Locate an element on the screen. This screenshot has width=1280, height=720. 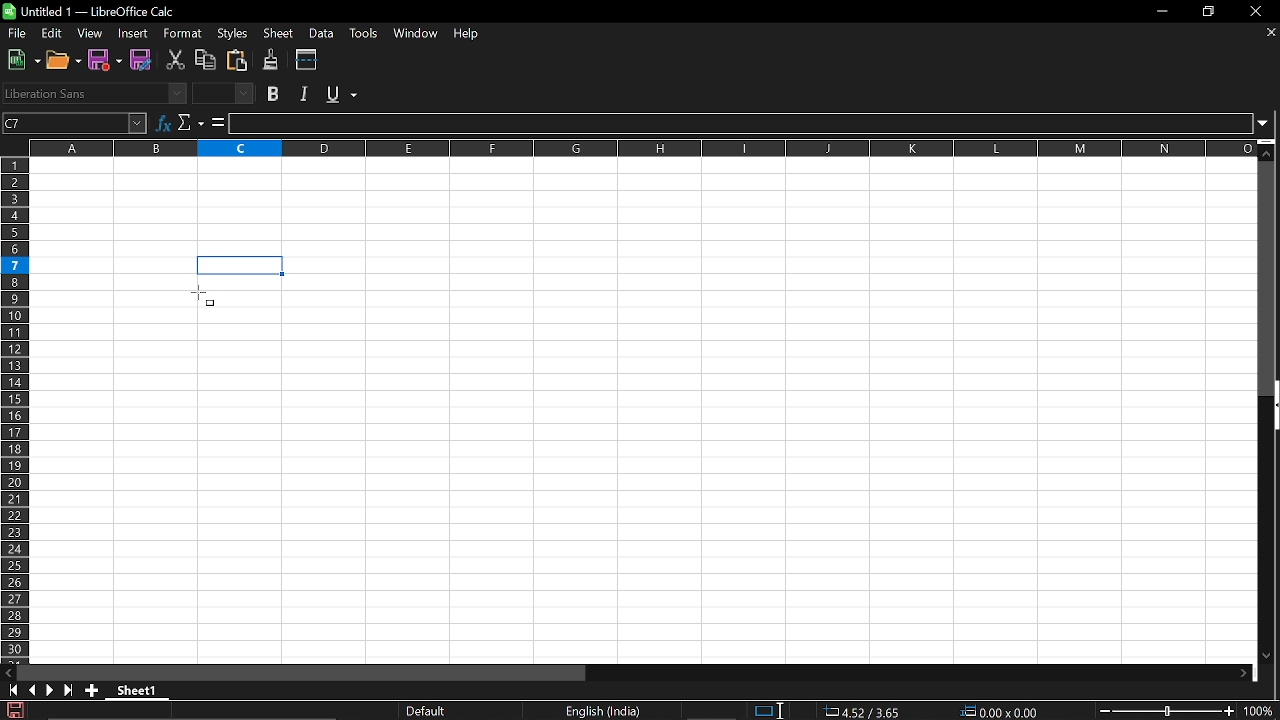
Expand formula bar is located at coordinates (1268, 124).